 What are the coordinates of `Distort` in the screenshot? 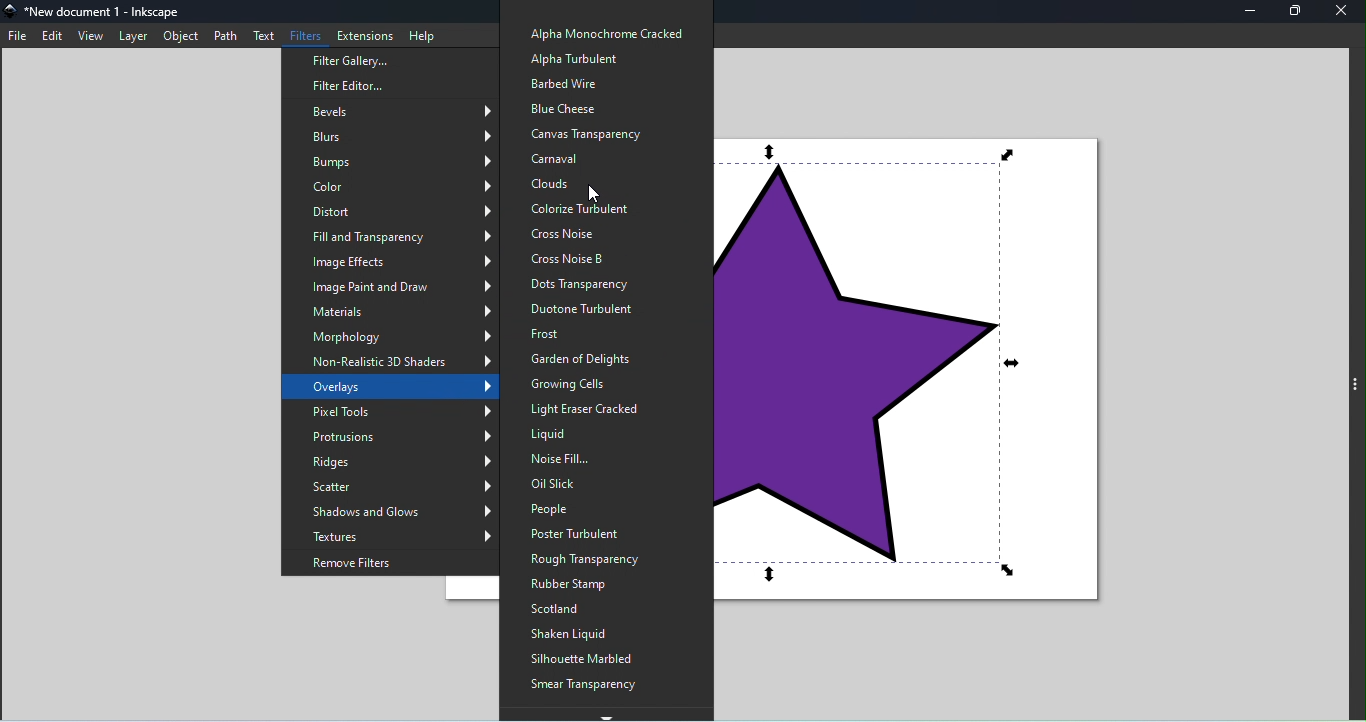 It's located at (386, 210).